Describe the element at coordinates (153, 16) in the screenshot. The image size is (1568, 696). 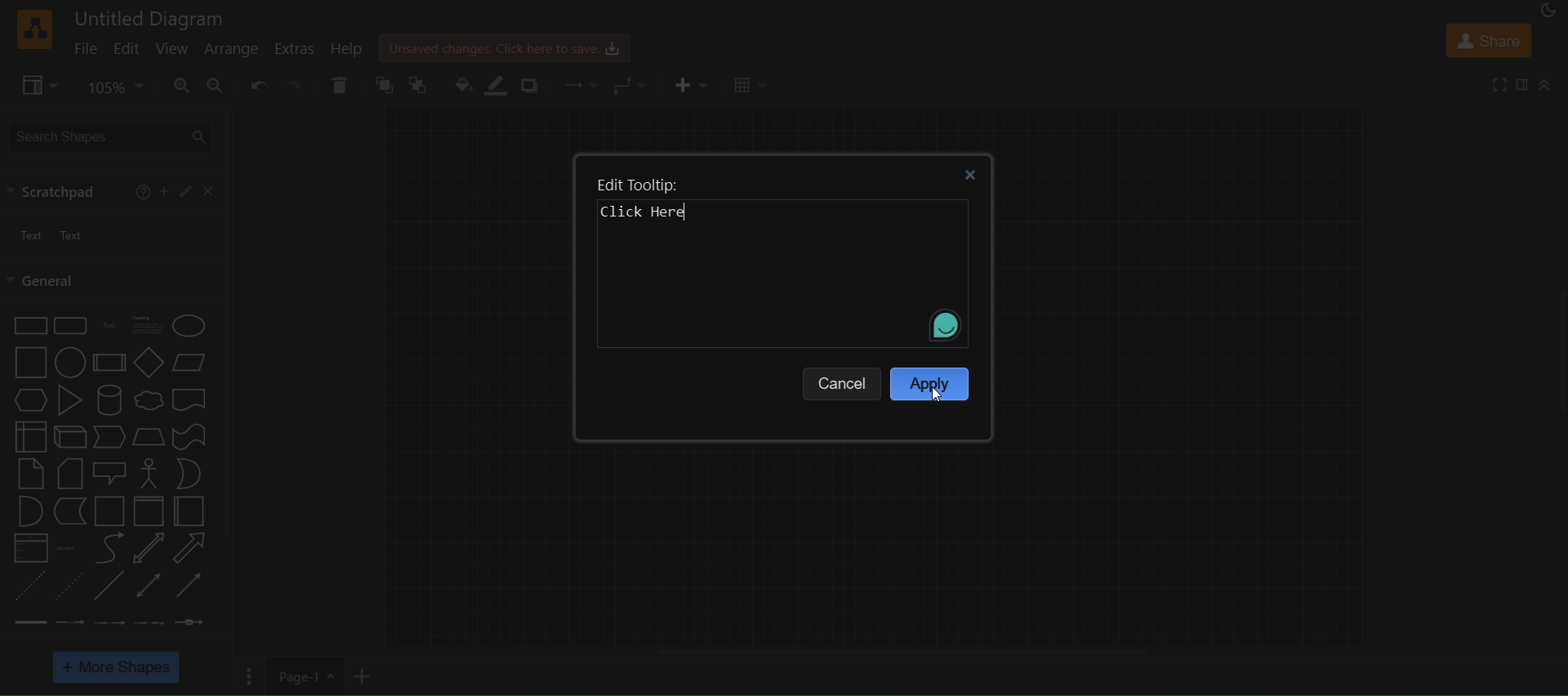
I see `untitled diagram` at that location.